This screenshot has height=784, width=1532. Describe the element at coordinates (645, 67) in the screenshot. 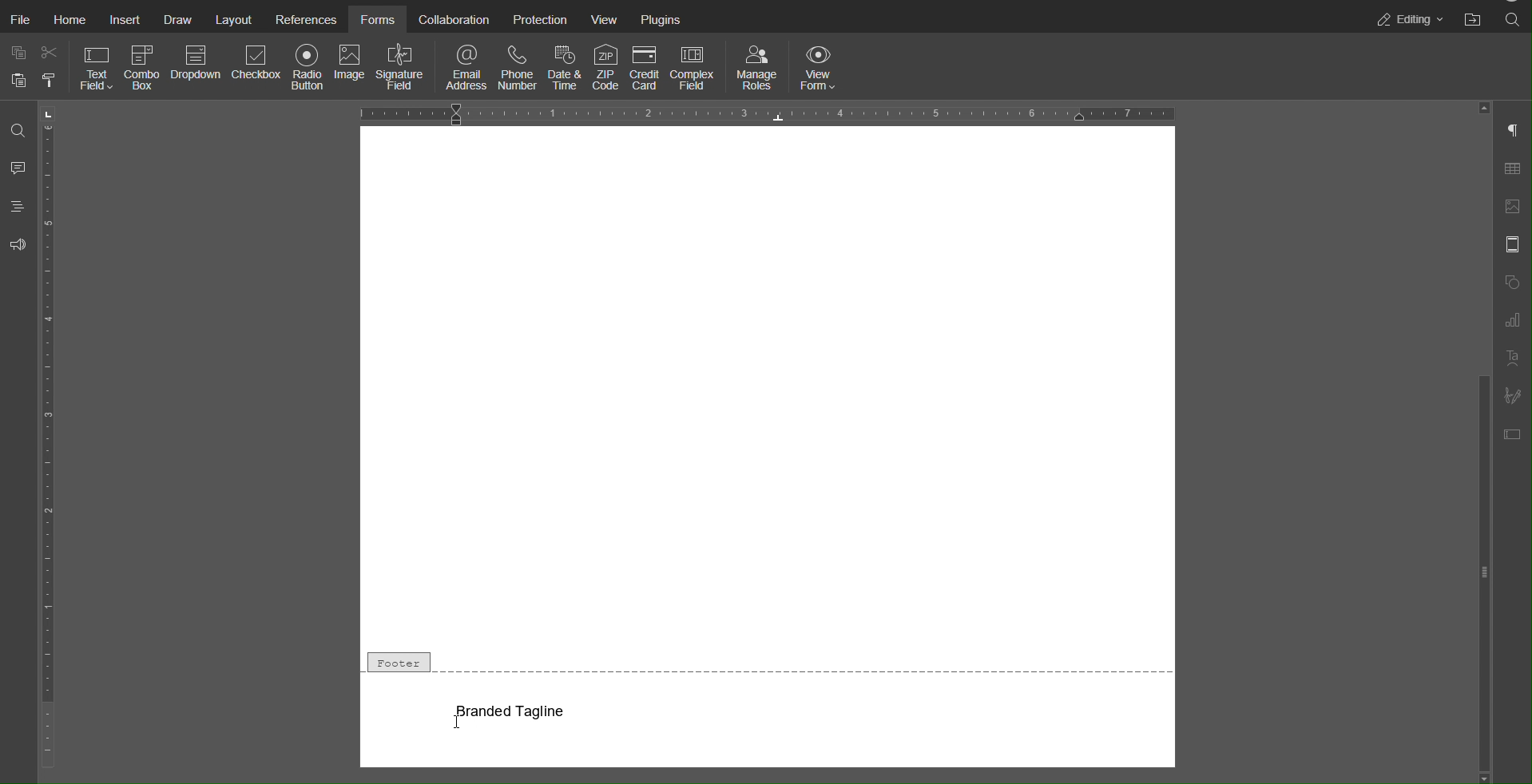

I see `Credit Card` at that location.